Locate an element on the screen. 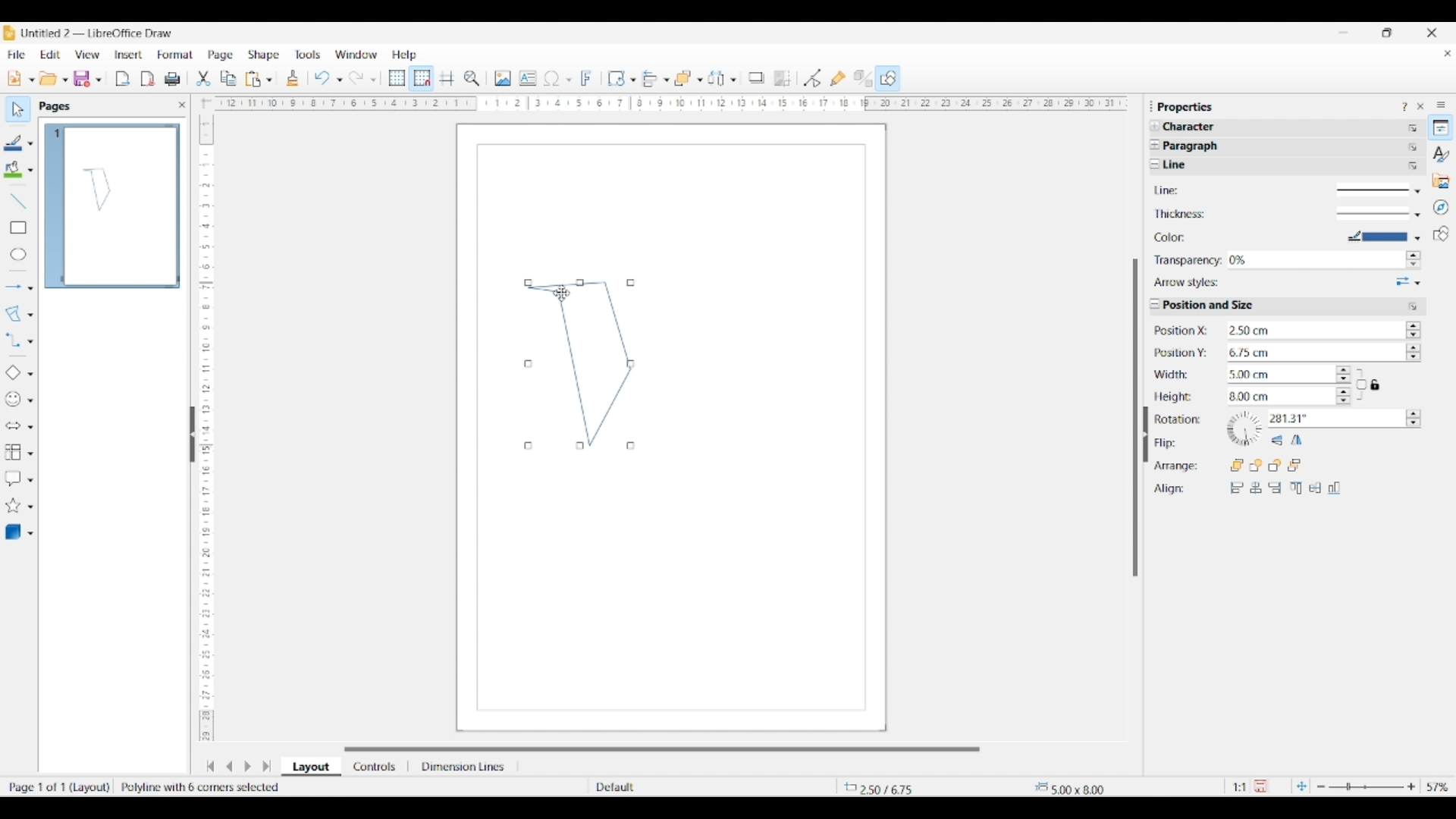 The image size is (1456, 819). Navigator is located at coordinates (1441, 208).